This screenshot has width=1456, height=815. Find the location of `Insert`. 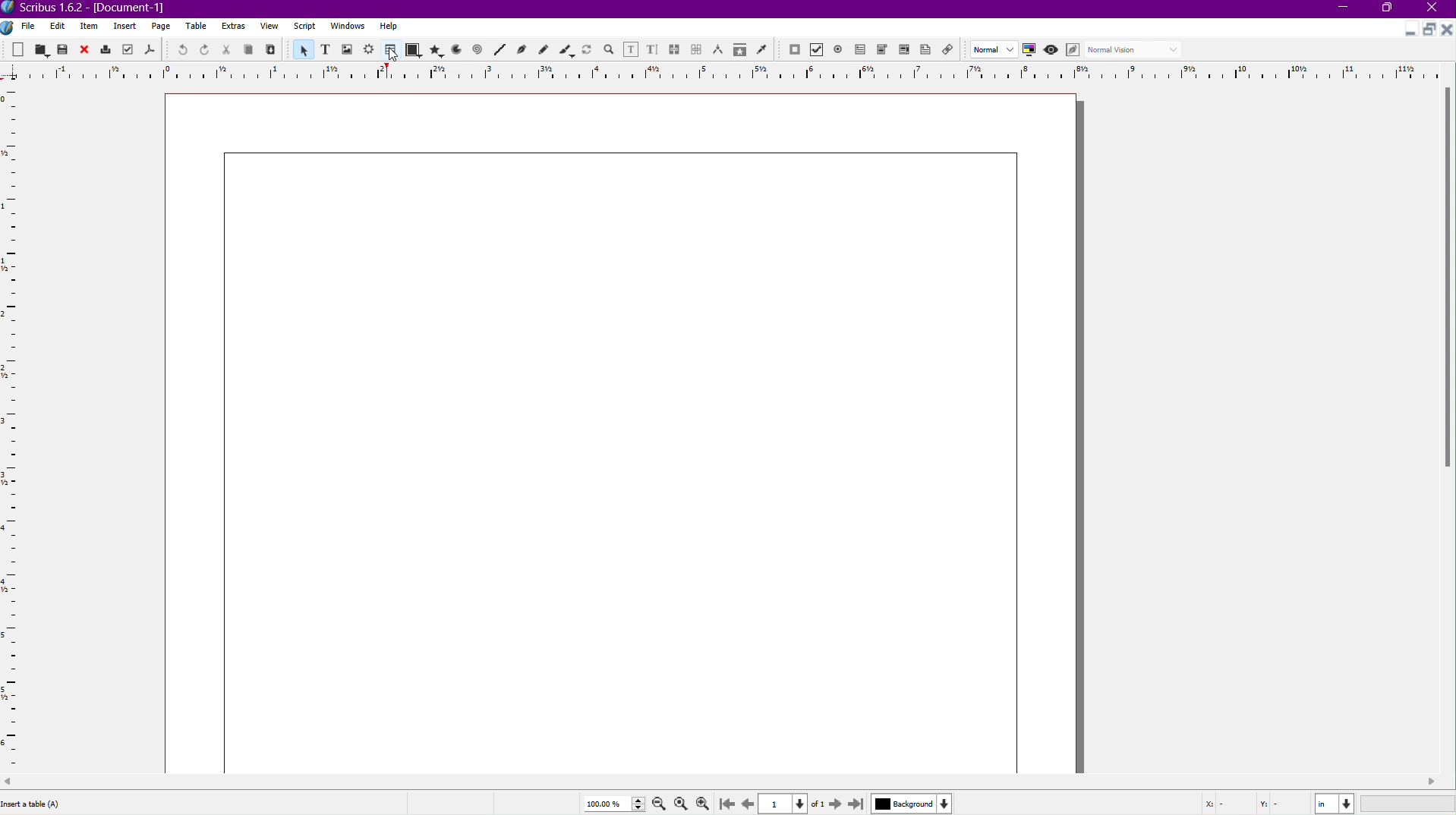

Insert is located at coordinates (125, 27).